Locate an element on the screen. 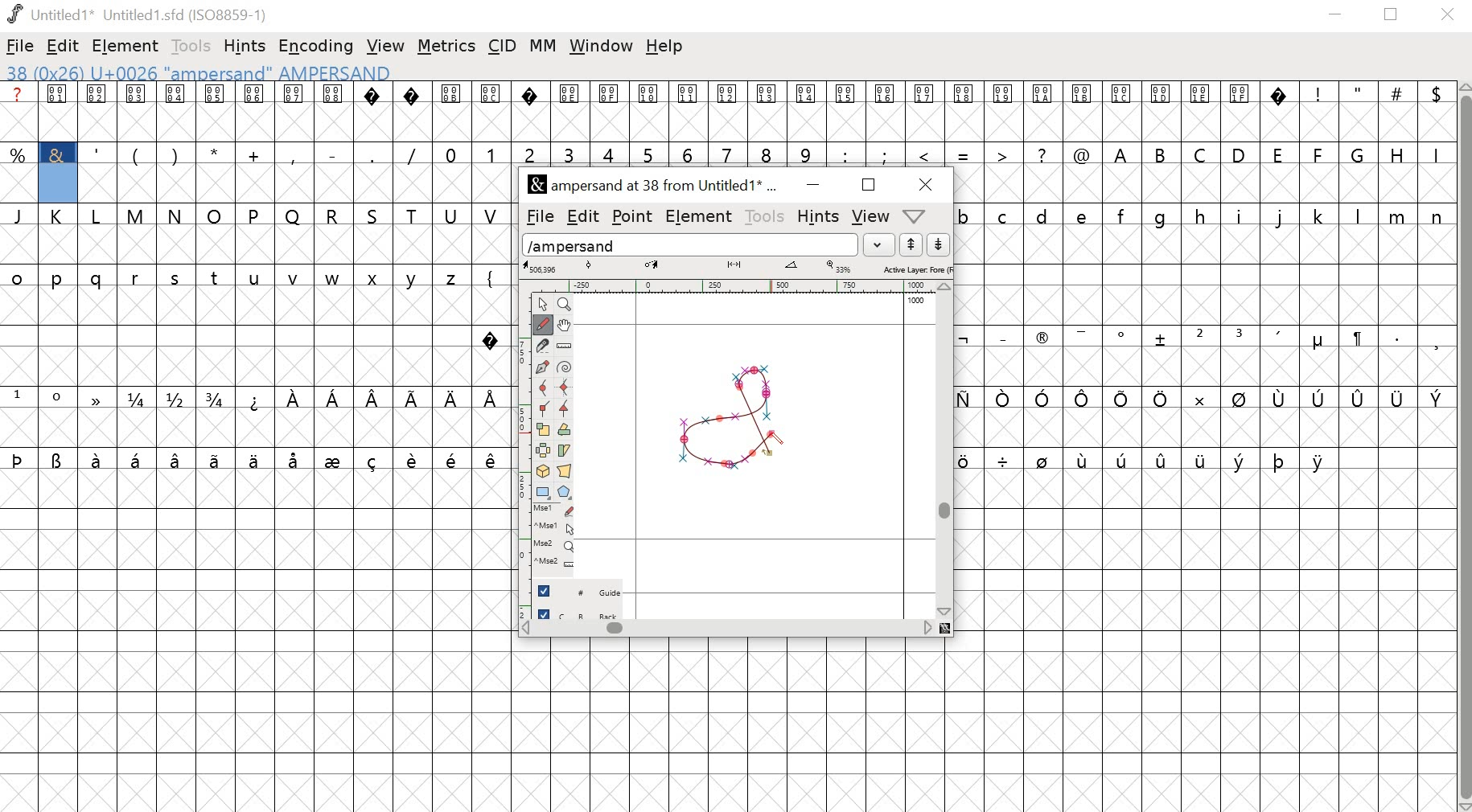 Image resolution: width=1472 pixels, height=812 pixels. 4 is located at coordinates (611, 154).